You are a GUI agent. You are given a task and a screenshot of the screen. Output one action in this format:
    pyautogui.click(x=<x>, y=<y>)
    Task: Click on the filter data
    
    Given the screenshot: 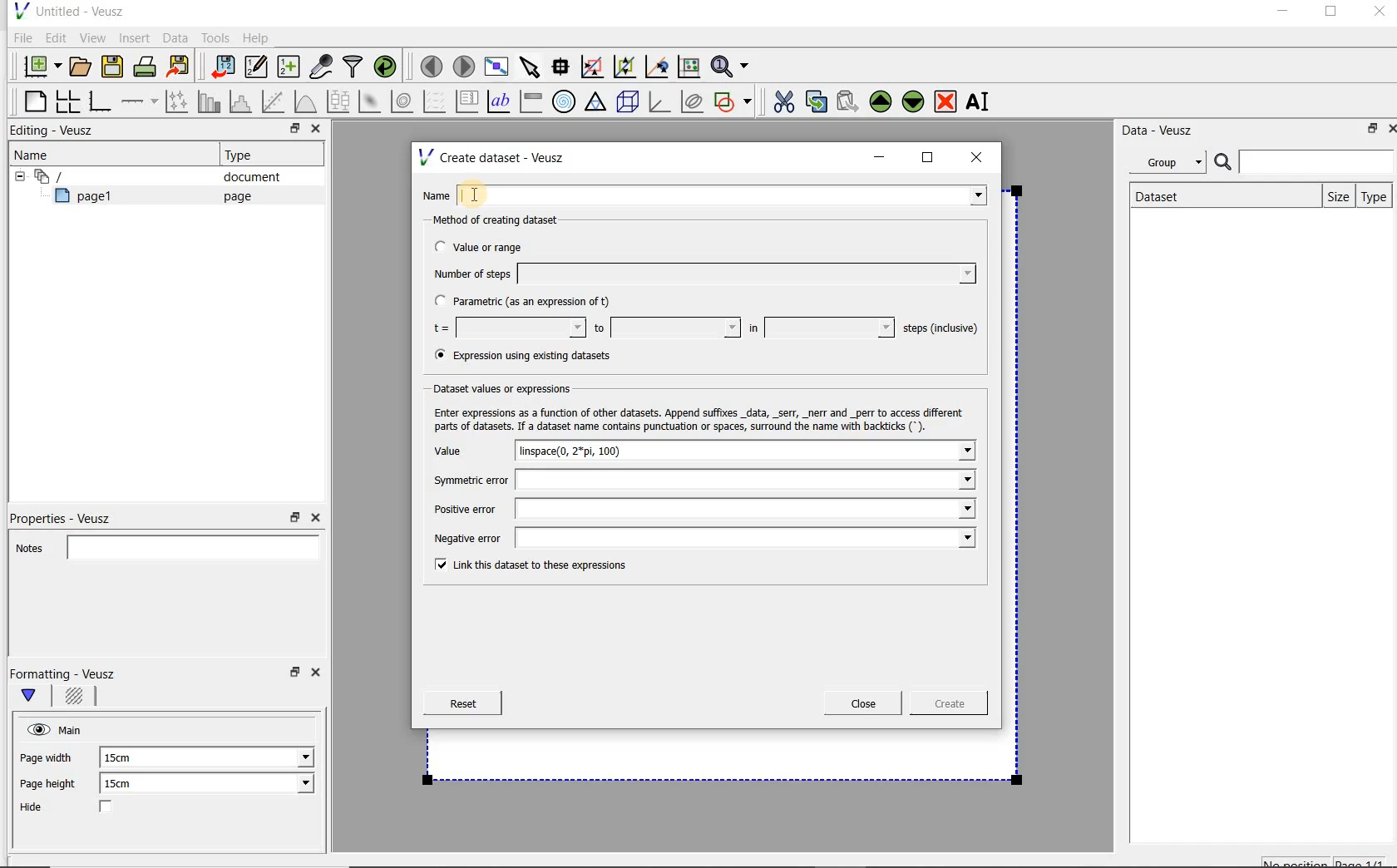 What is the action you would take?
    pyautogui.click(x=353, y=68)
    